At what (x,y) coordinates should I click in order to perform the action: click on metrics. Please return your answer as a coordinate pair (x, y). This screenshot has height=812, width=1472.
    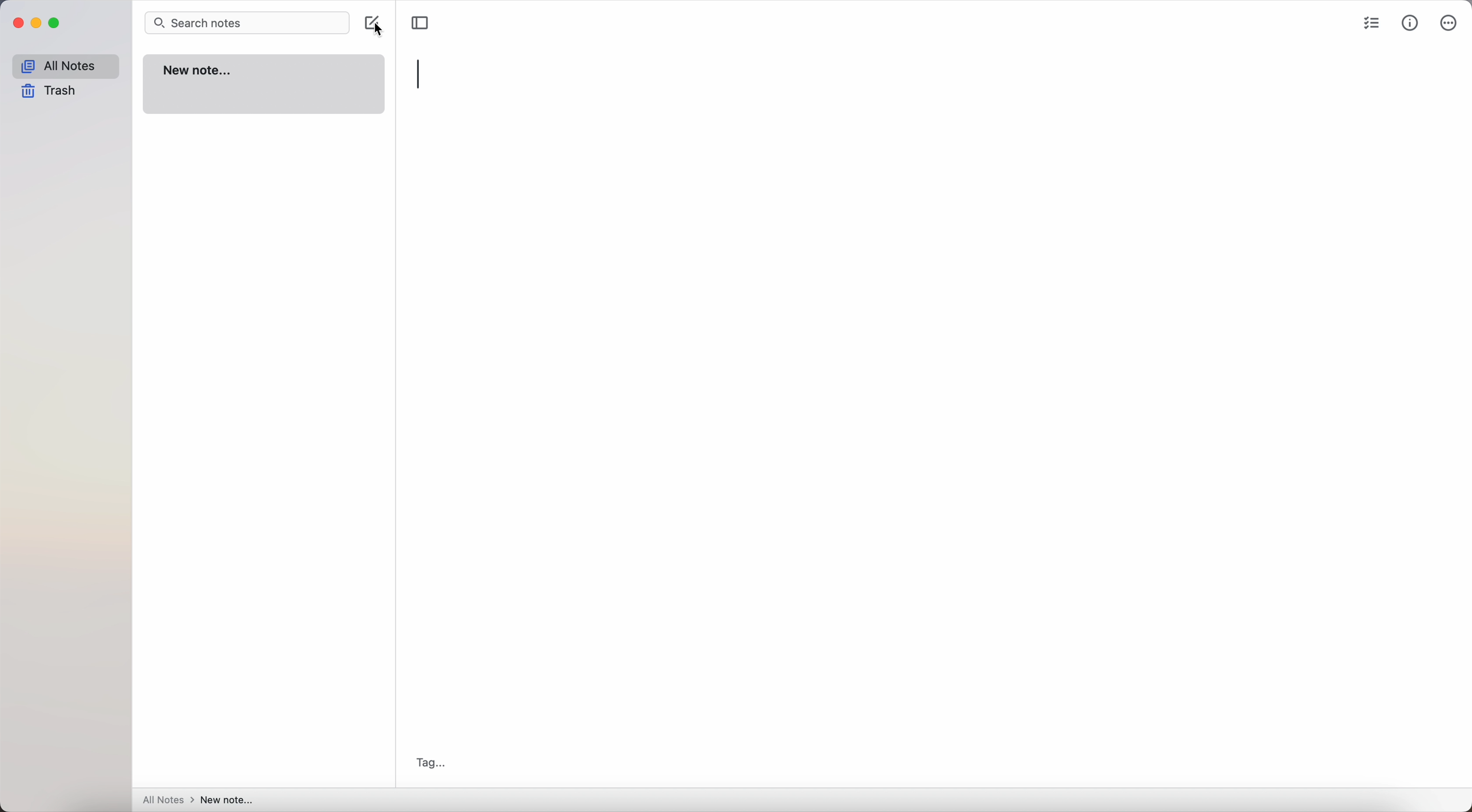
    Looking at the image, I should click on (1410, 22).